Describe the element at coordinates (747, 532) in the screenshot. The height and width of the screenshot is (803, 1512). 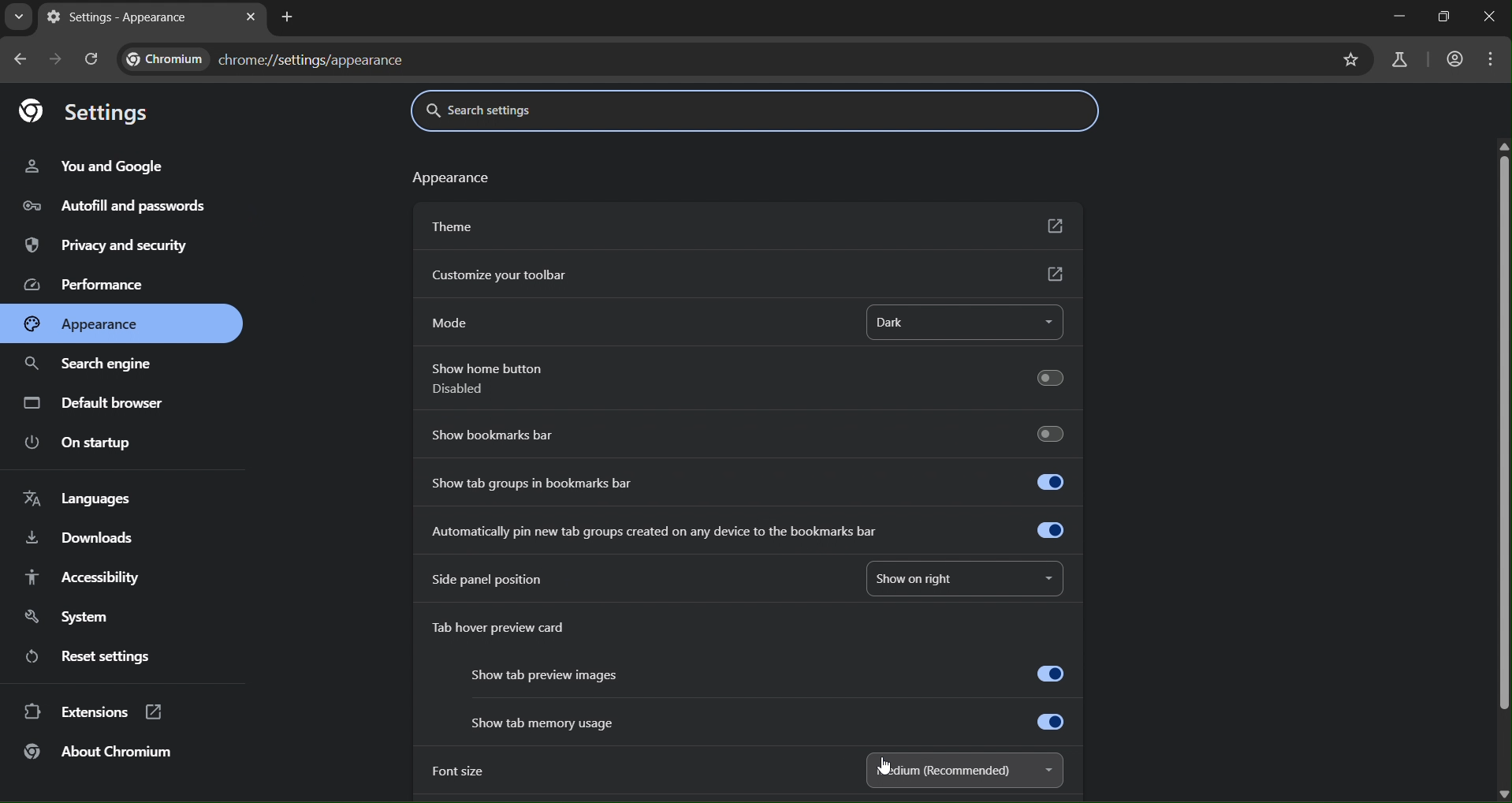
I see `automatically pin new tab created on any device to the bookmarks bar` at that location.